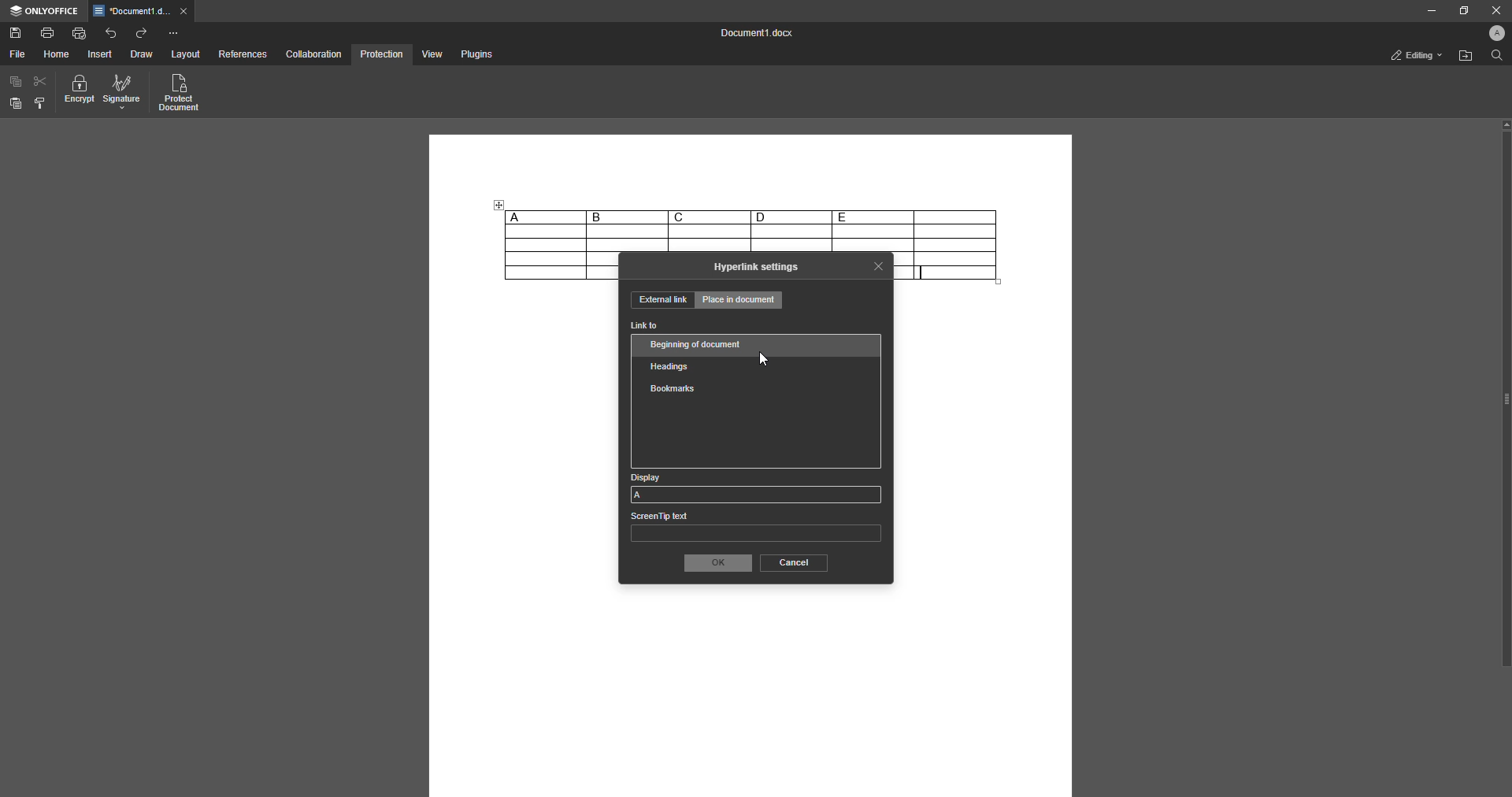  What do you see at coordinates (80, 92) in the screenshot?
I see `Encrypt` at bounding box center [80, 92].